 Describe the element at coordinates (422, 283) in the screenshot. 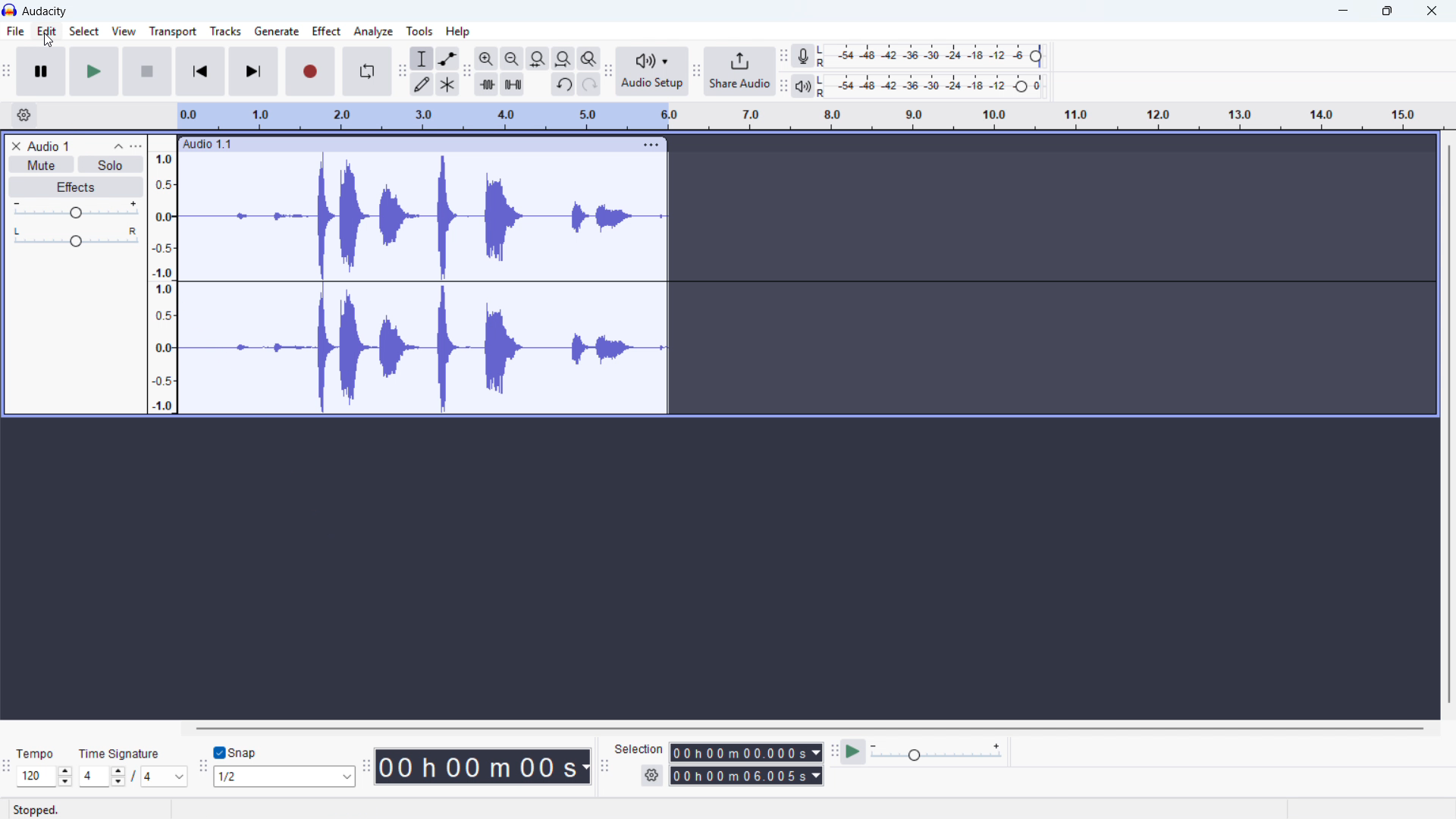

I see `track waveform` at that location.